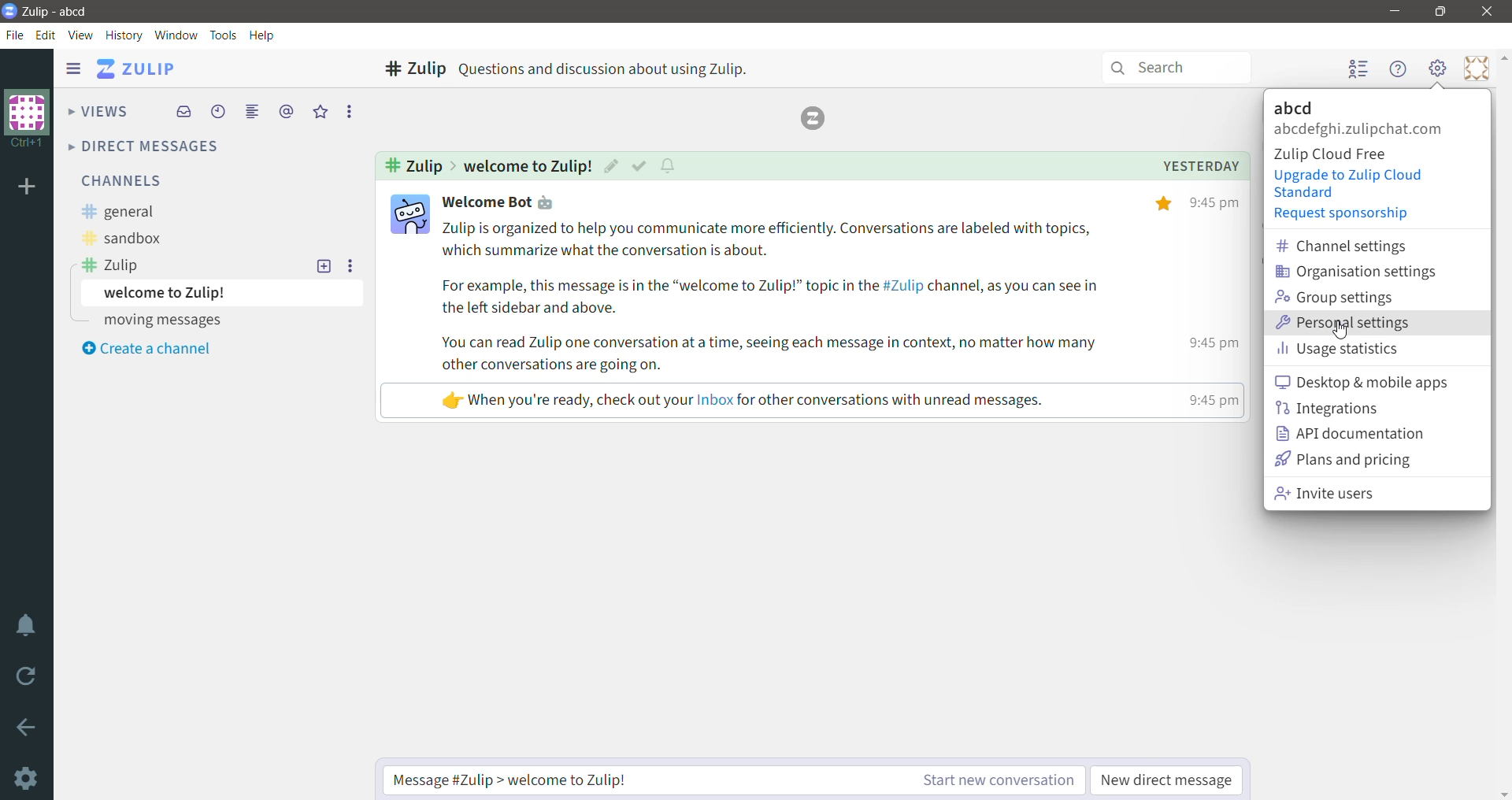 The width and height of the screenshot is (1512, 800). I want to click on Application Logo, so click(9, 12).